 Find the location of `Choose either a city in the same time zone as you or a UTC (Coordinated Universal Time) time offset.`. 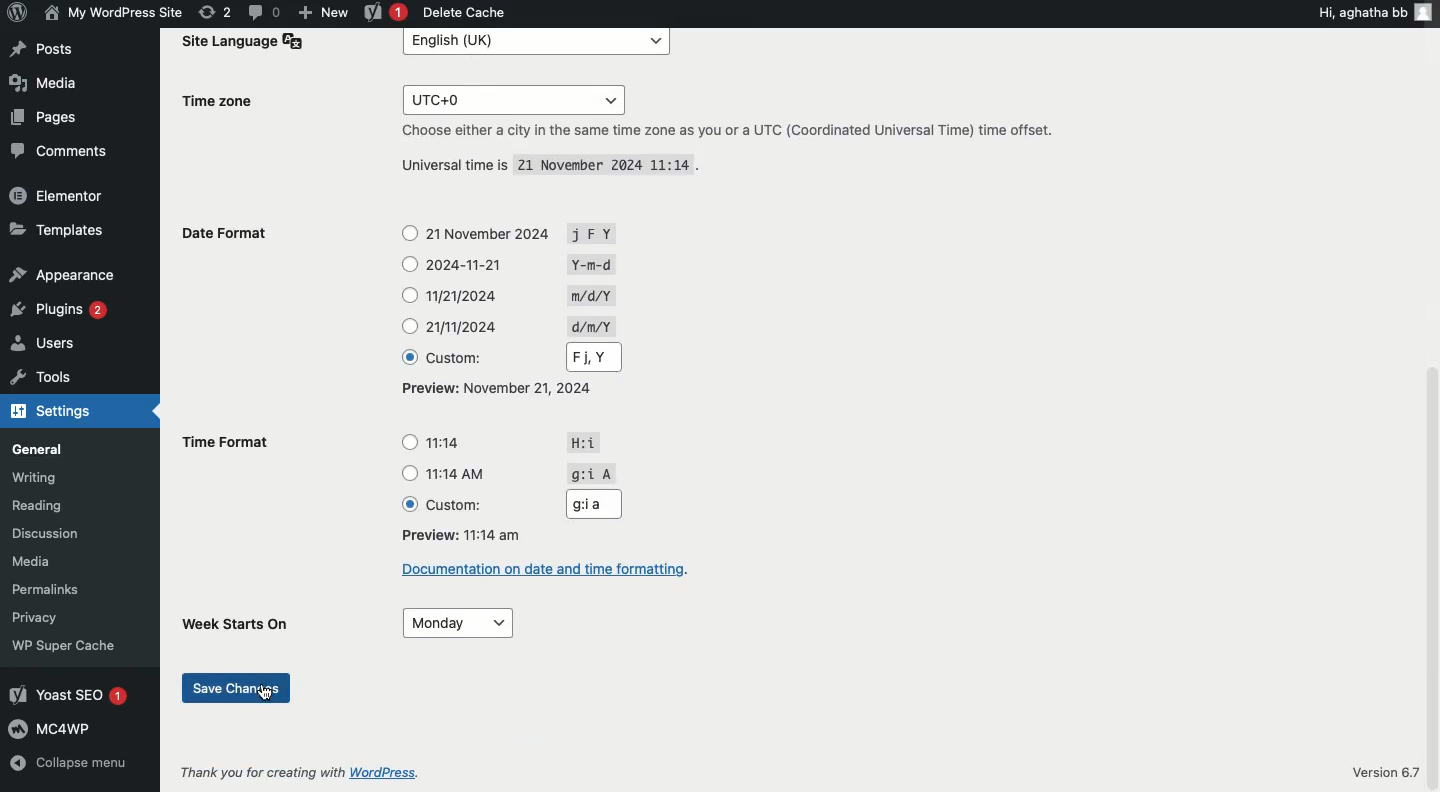

Choose either a city in the same time zone as you or a UTC (Coordinated Universal Time) time offset. is located at coordinates (726, 131).